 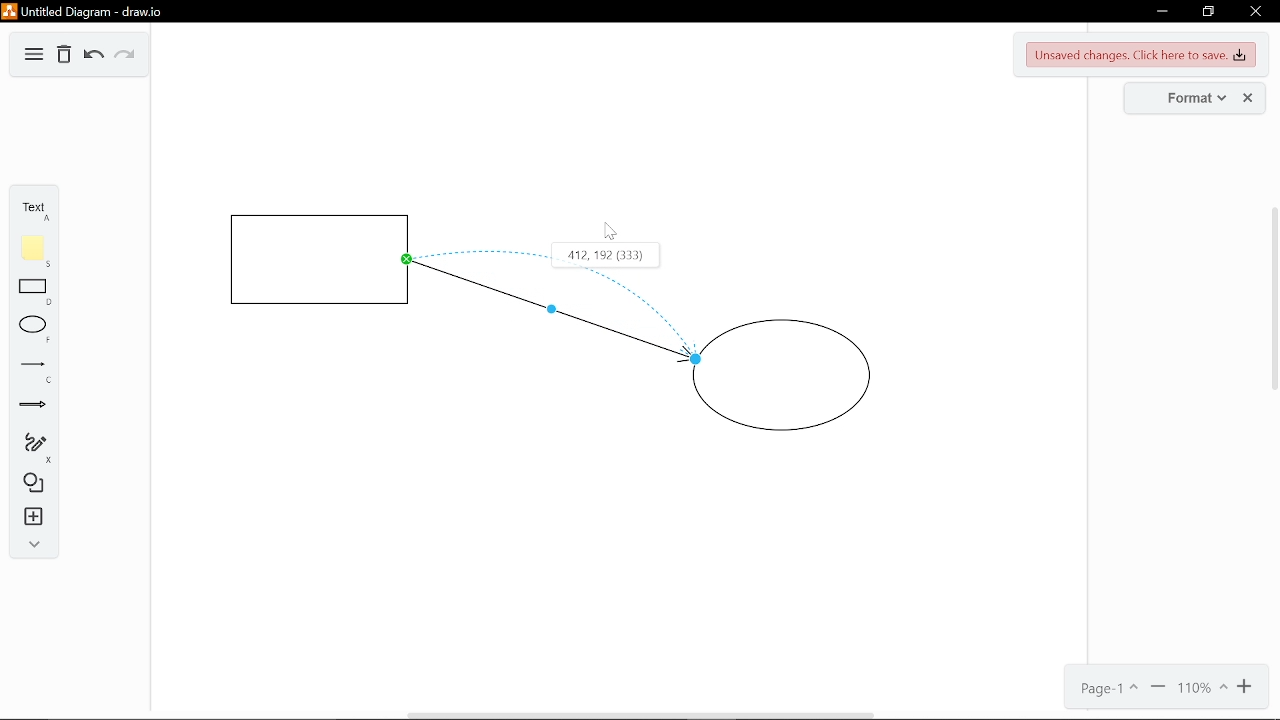 I want to click on Delete, so click(x=65, y=56).